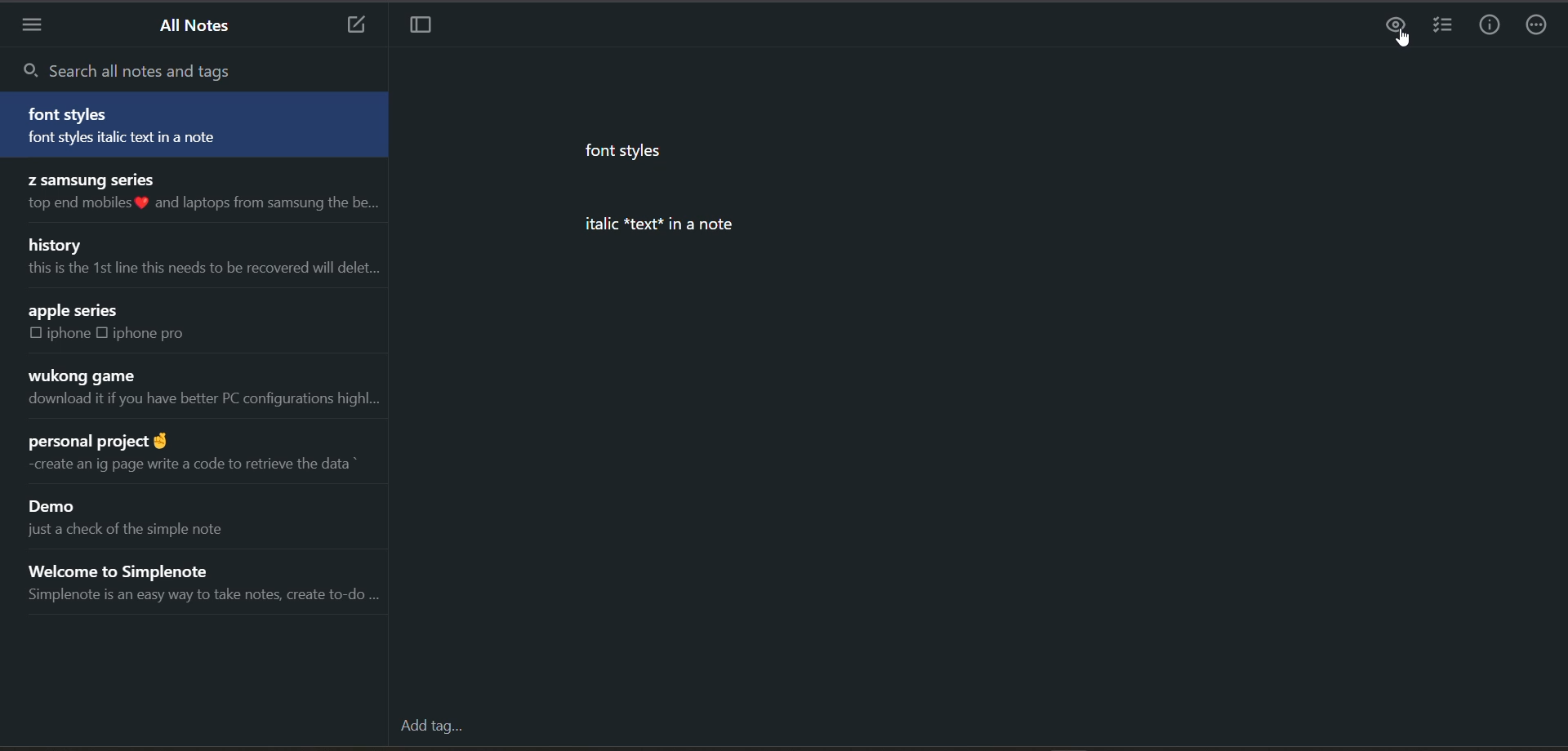 This screenshot has width=1568, height=751. Describe the element at coordinates (1409, 42) in the screenshot. I see `cursor` at that location.